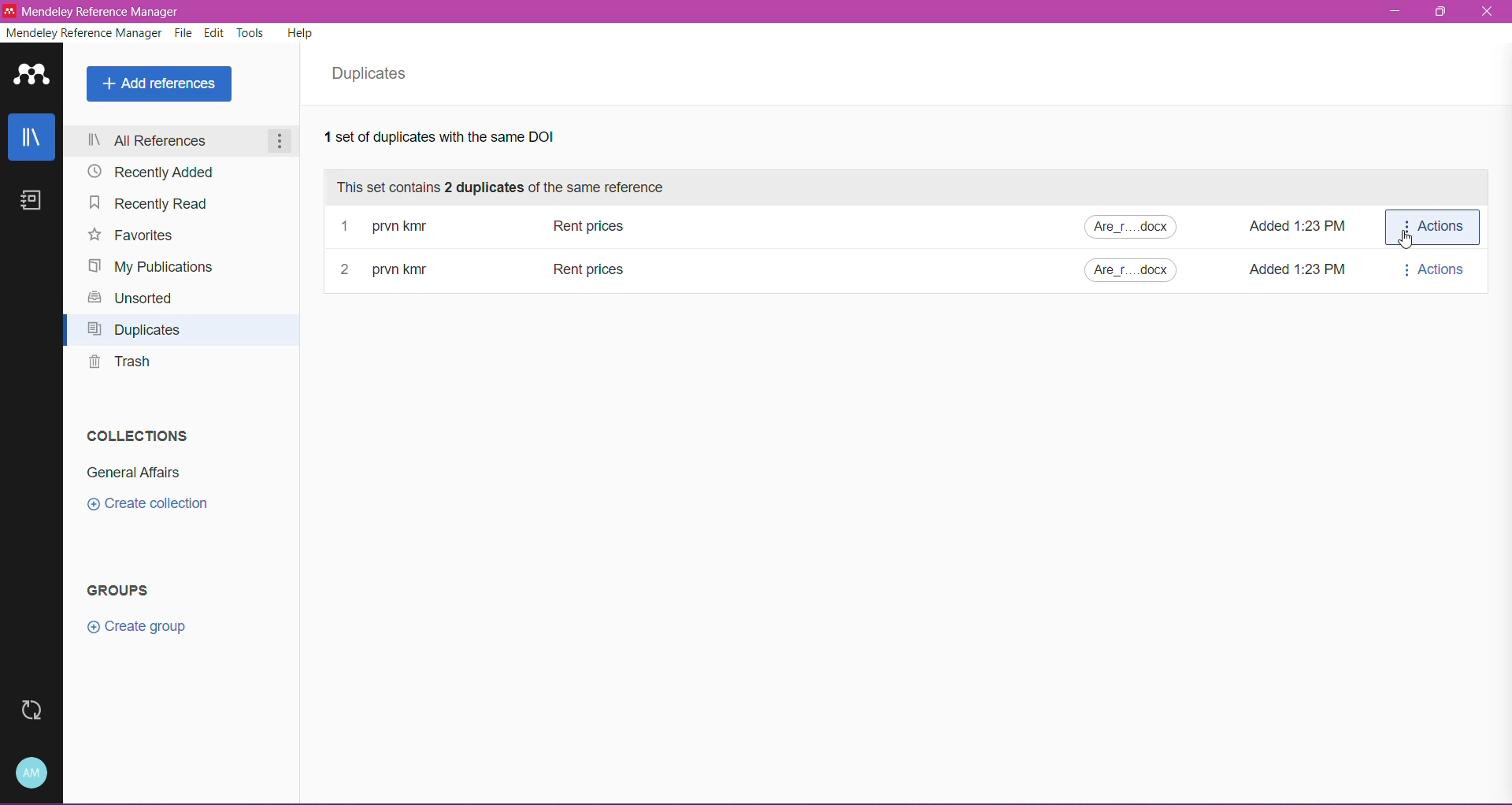  What do you see at coordinates (158, 85) in the screenshot?
I see `Add References` at bounding box center [158, 85].